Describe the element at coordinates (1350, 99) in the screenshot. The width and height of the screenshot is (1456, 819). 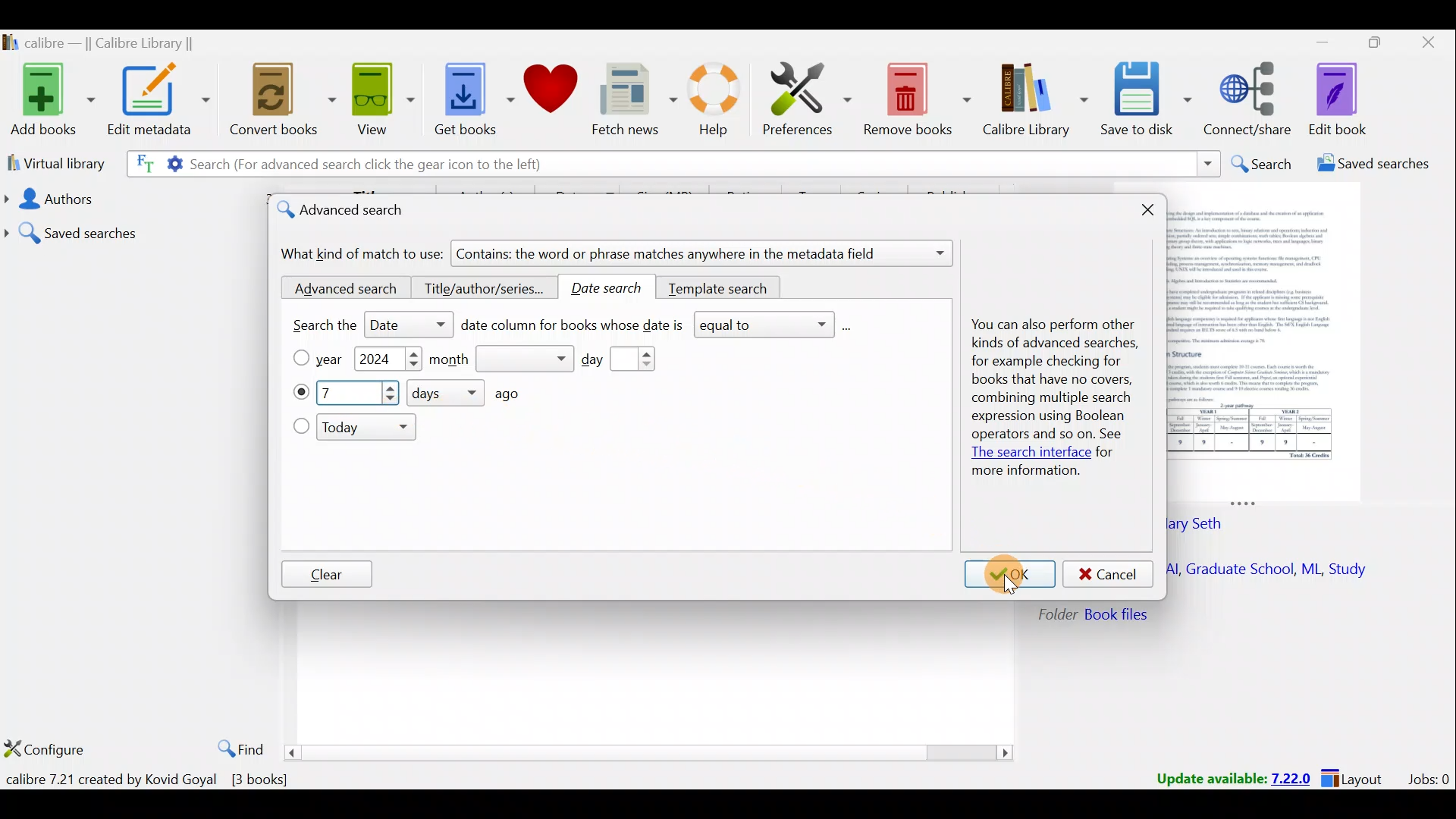
I see `Edit book` at that location.